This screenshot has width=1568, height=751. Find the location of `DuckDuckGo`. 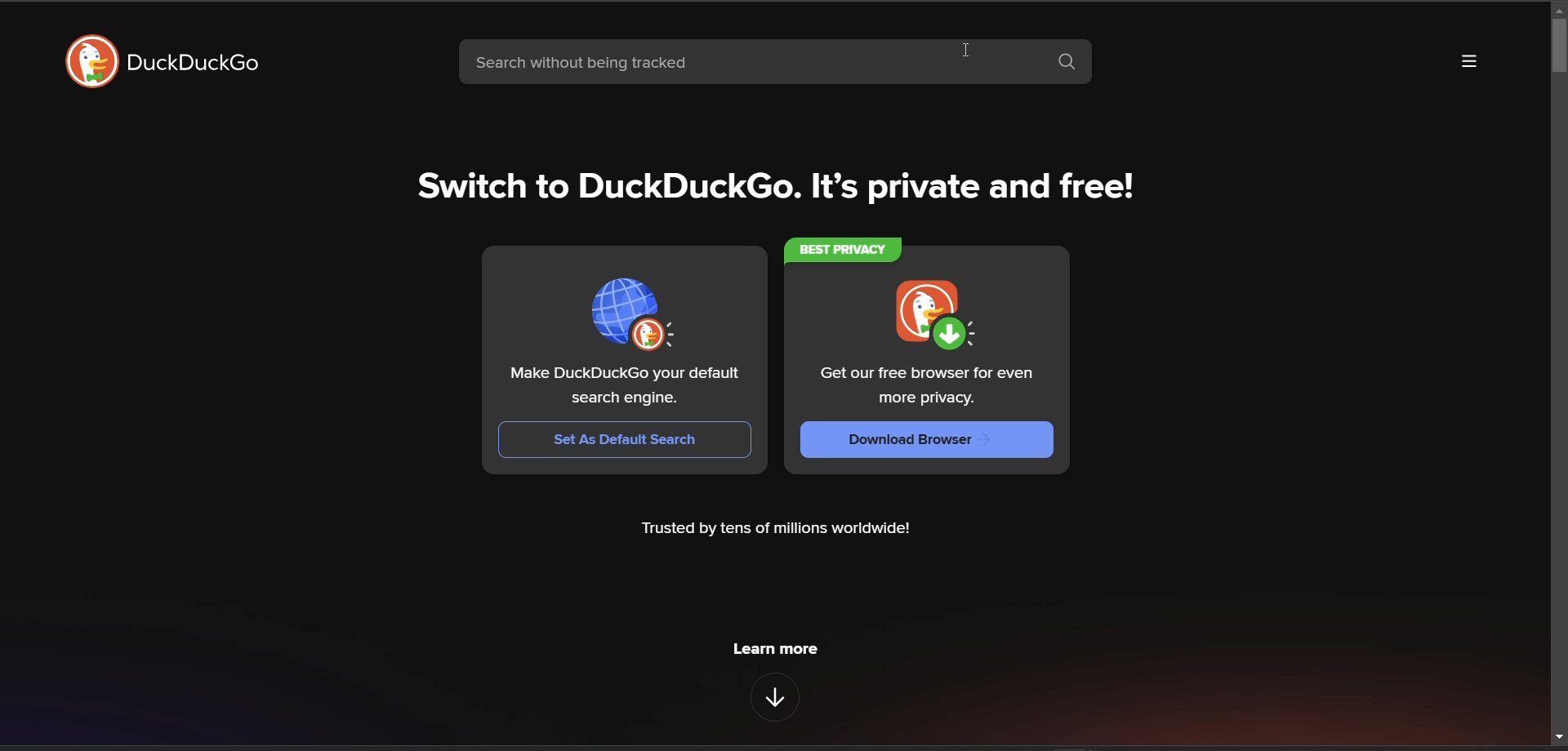

DuckDuckGo is located at coordinates (192, 61).